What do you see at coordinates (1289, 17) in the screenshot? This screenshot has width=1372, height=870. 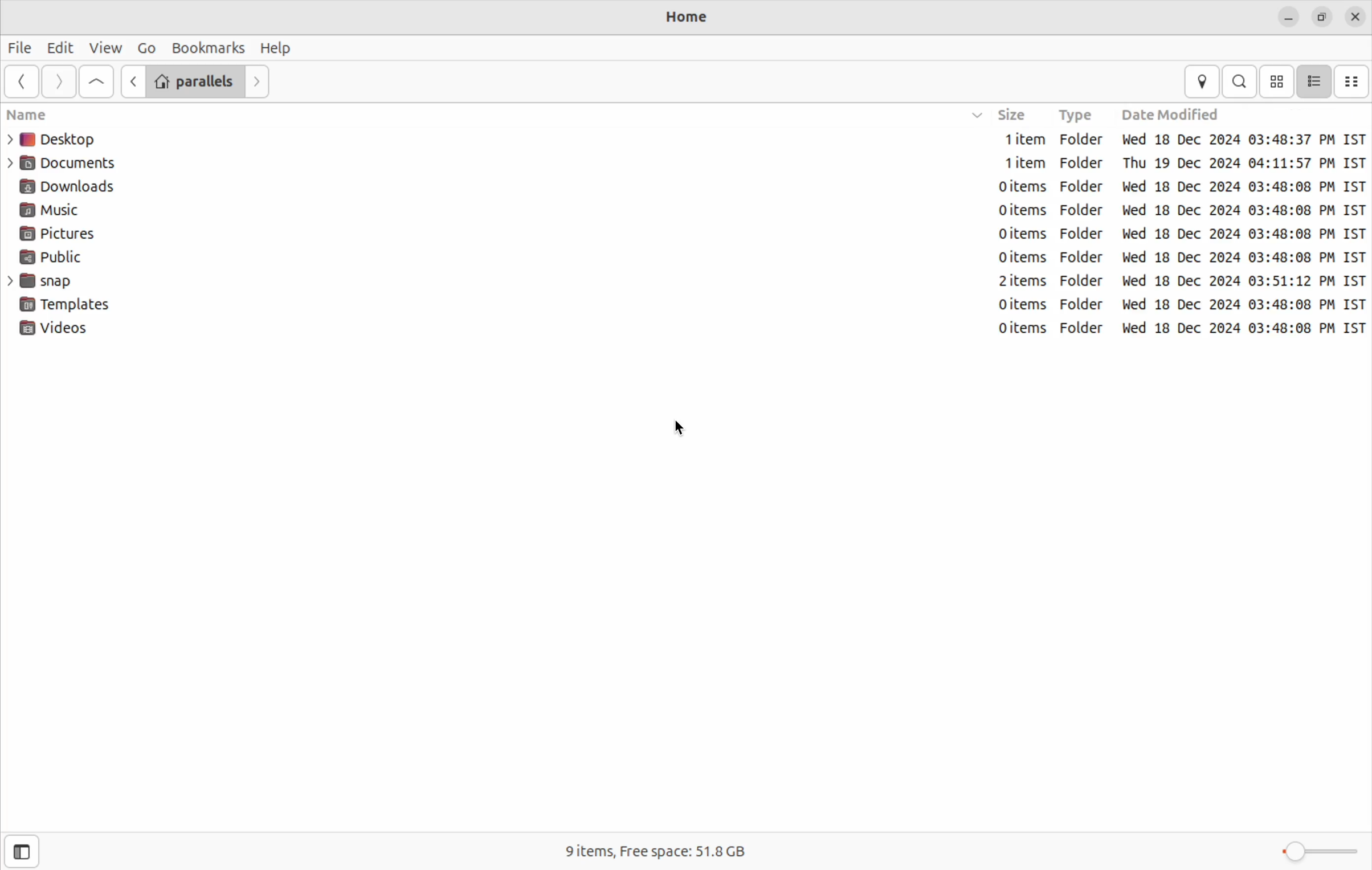 I see `minimize` at bounding box center [1289, 17].